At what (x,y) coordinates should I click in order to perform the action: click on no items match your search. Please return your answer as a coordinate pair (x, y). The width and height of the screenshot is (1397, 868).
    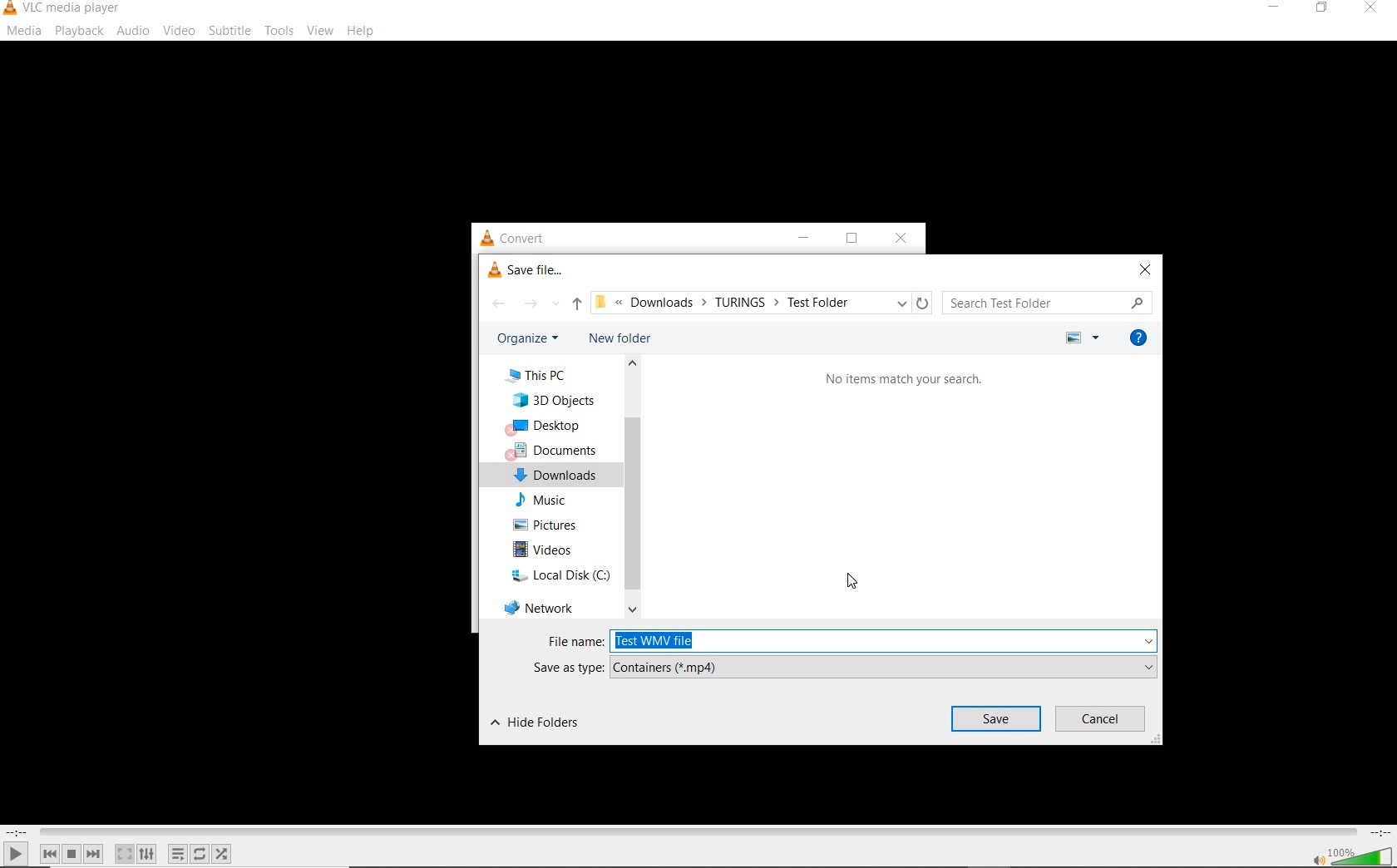
    Looking at the image, I should click on (904, 378).